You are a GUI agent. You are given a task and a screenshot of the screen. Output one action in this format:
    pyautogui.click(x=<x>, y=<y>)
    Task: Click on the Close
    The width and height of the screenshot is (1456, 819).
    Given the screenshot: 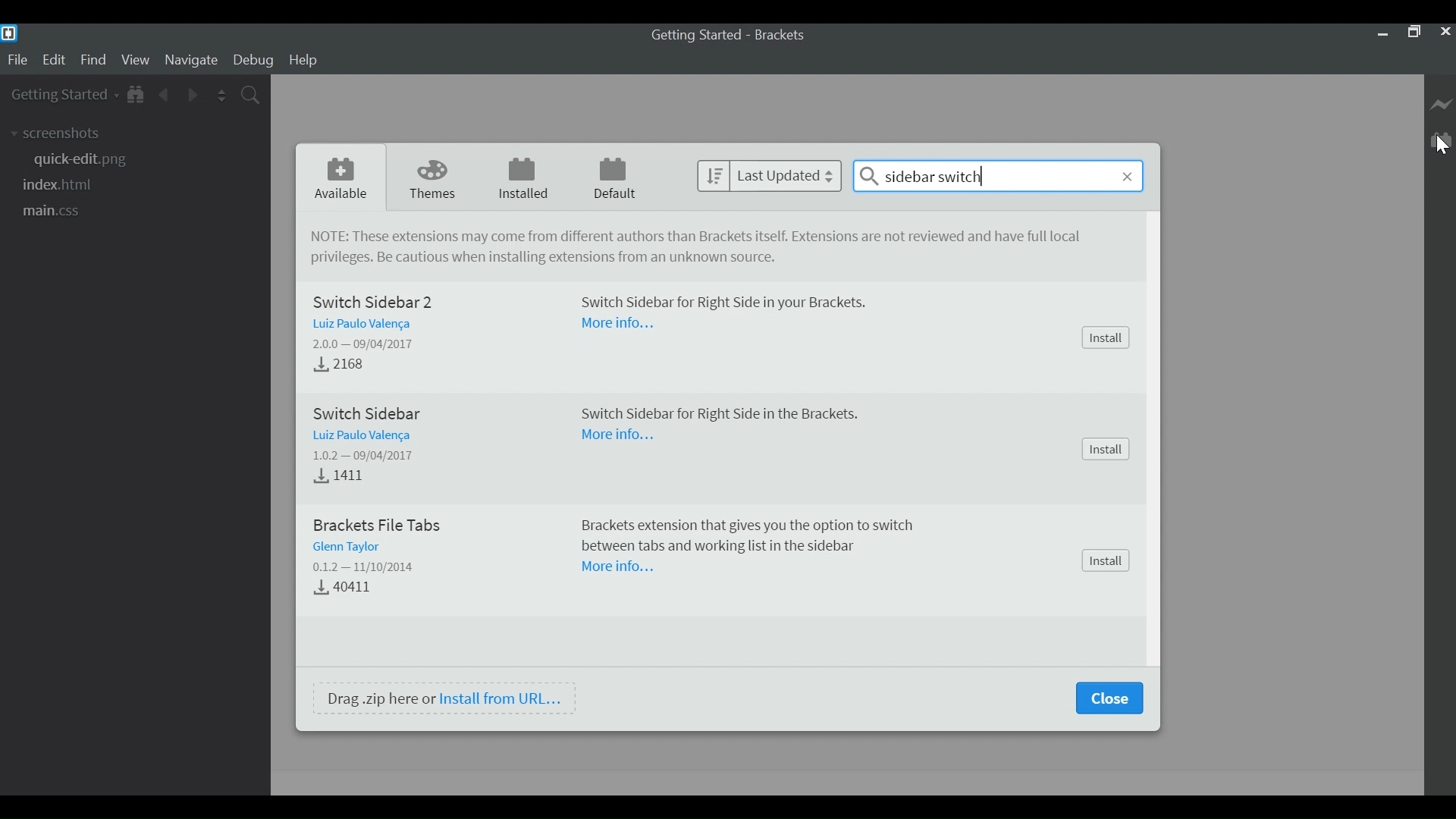 What is the action you would take?
    pyautogui.click(x=1108, y=698)
    